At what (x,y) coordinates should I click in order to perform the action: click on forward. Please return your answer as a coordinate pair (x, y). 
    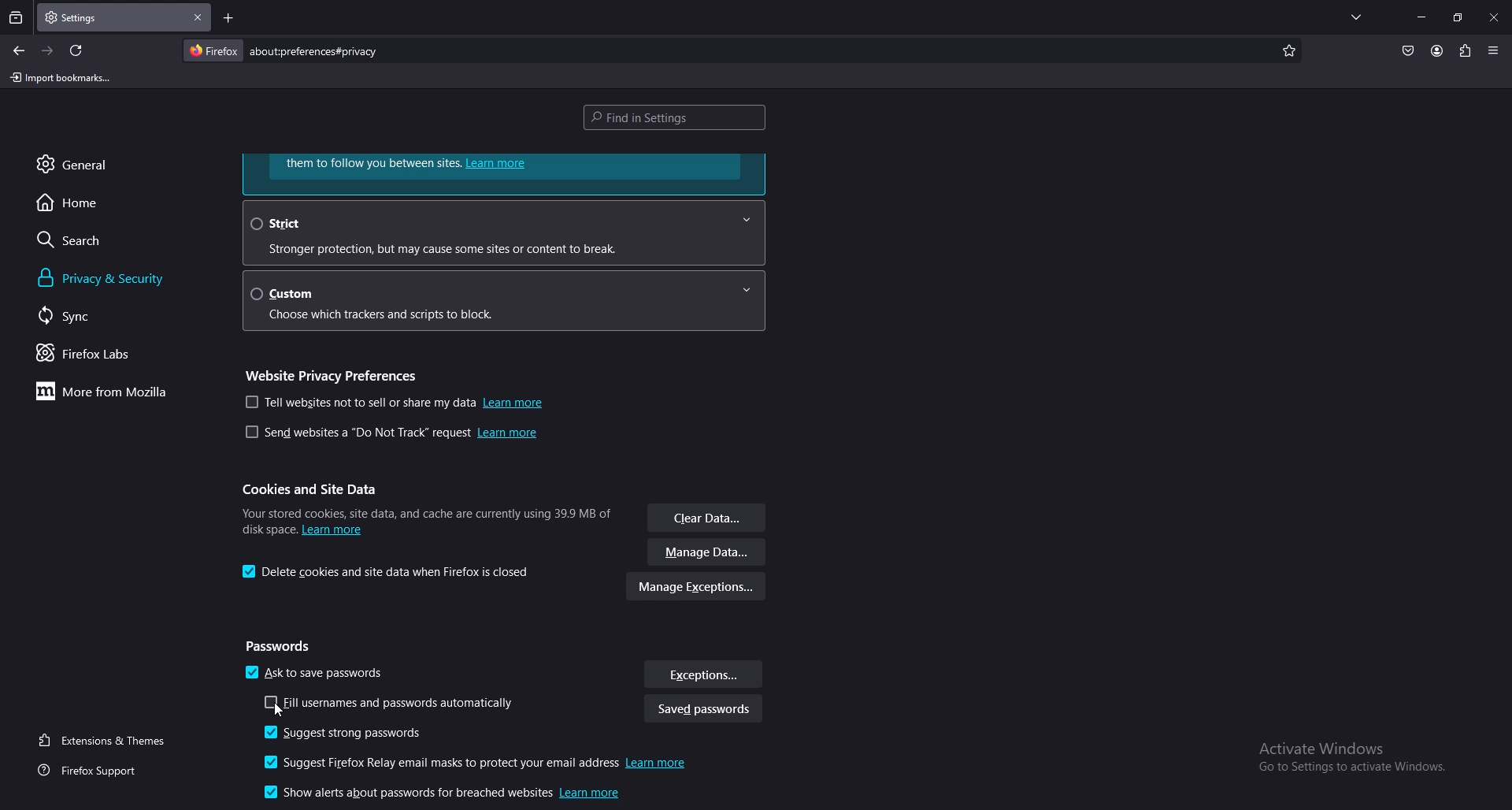
    Looking at the image, I should click on (49, 51).